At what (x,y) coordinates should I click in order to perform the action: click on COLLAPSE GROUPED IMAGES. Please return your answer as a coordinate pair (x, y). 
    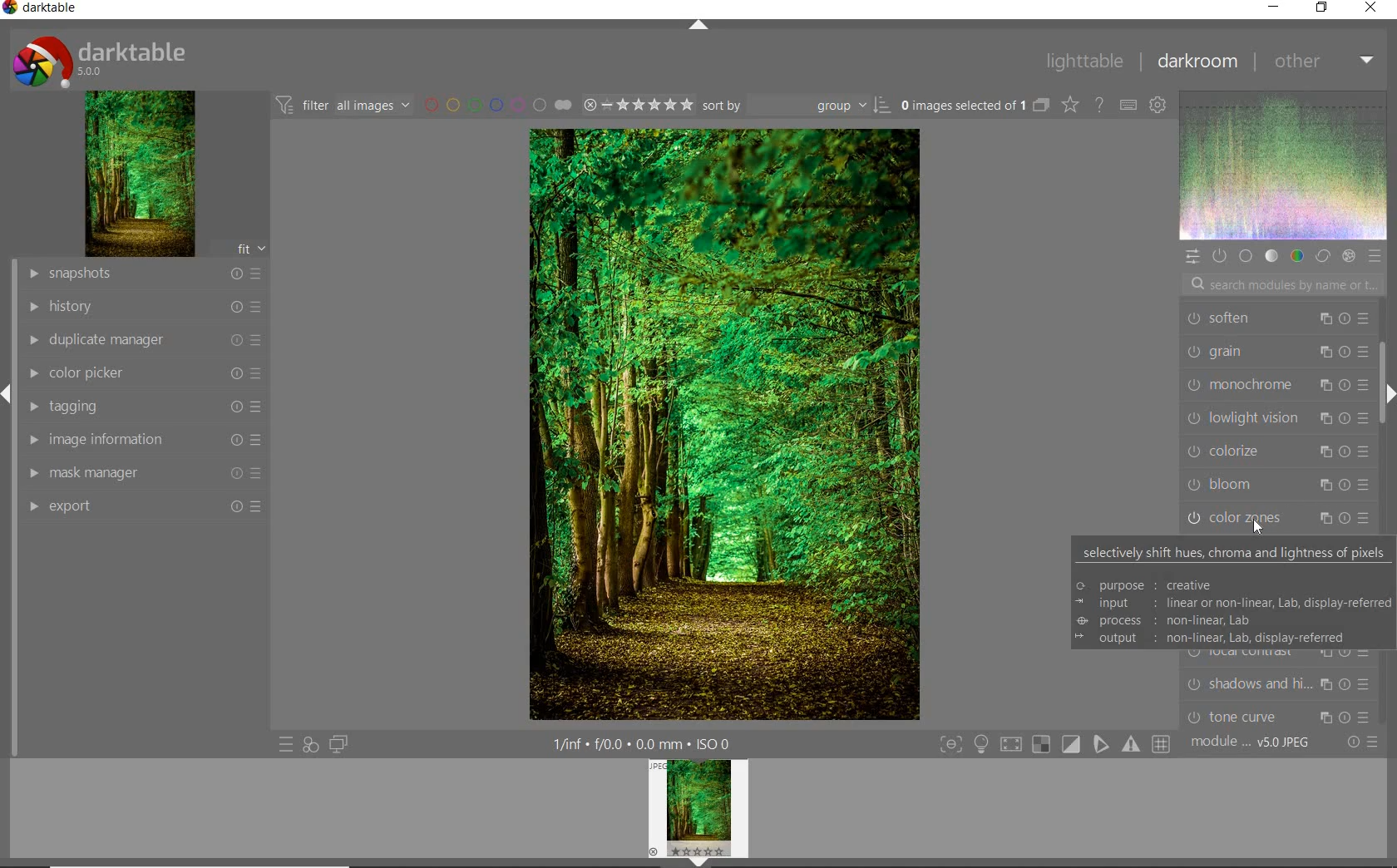
    Looking at the image, I should click on (1042, 105).